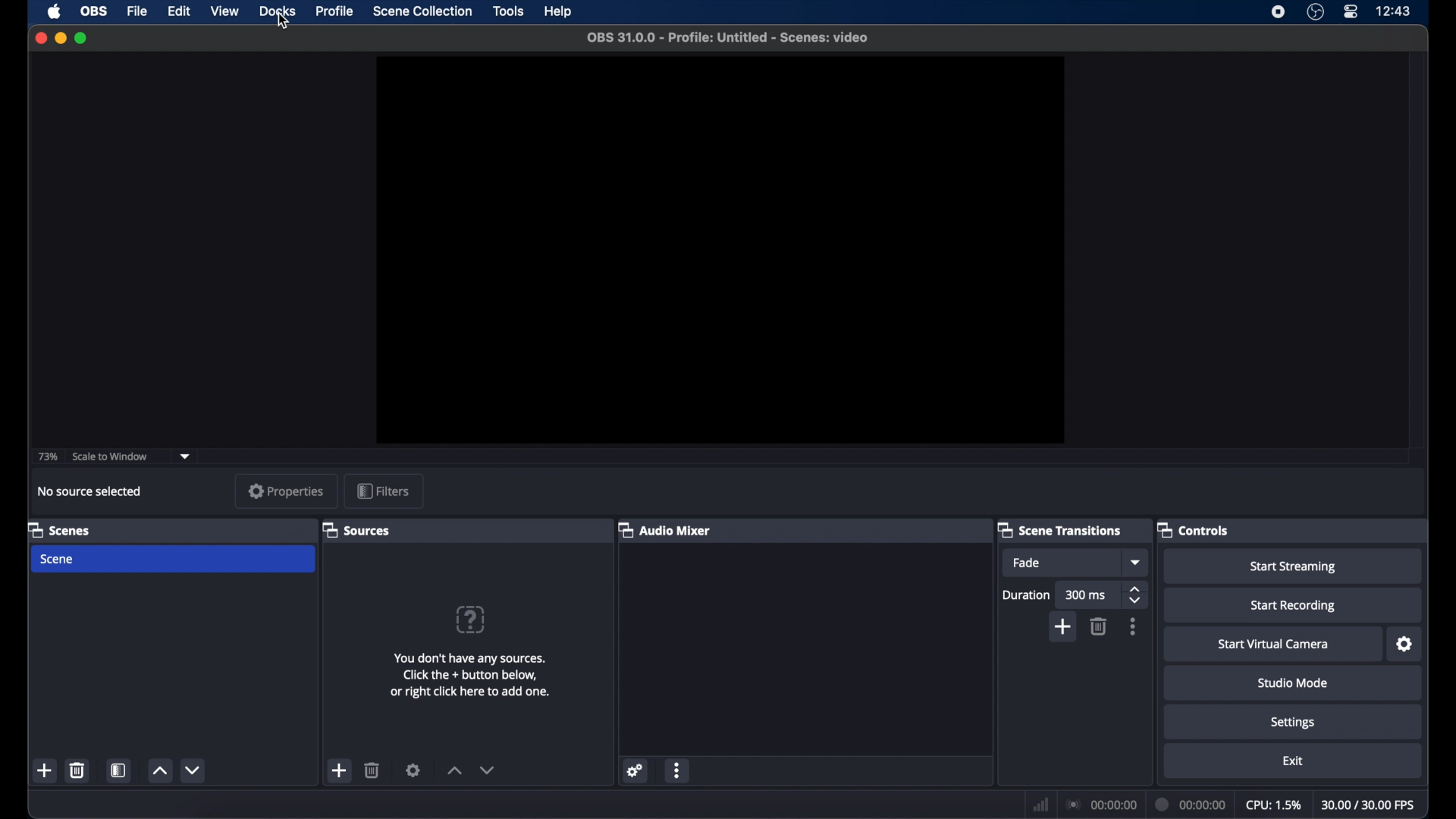 This screenshot has width=1456, height=819. I want to click on dropdown, so click(1136, 563).